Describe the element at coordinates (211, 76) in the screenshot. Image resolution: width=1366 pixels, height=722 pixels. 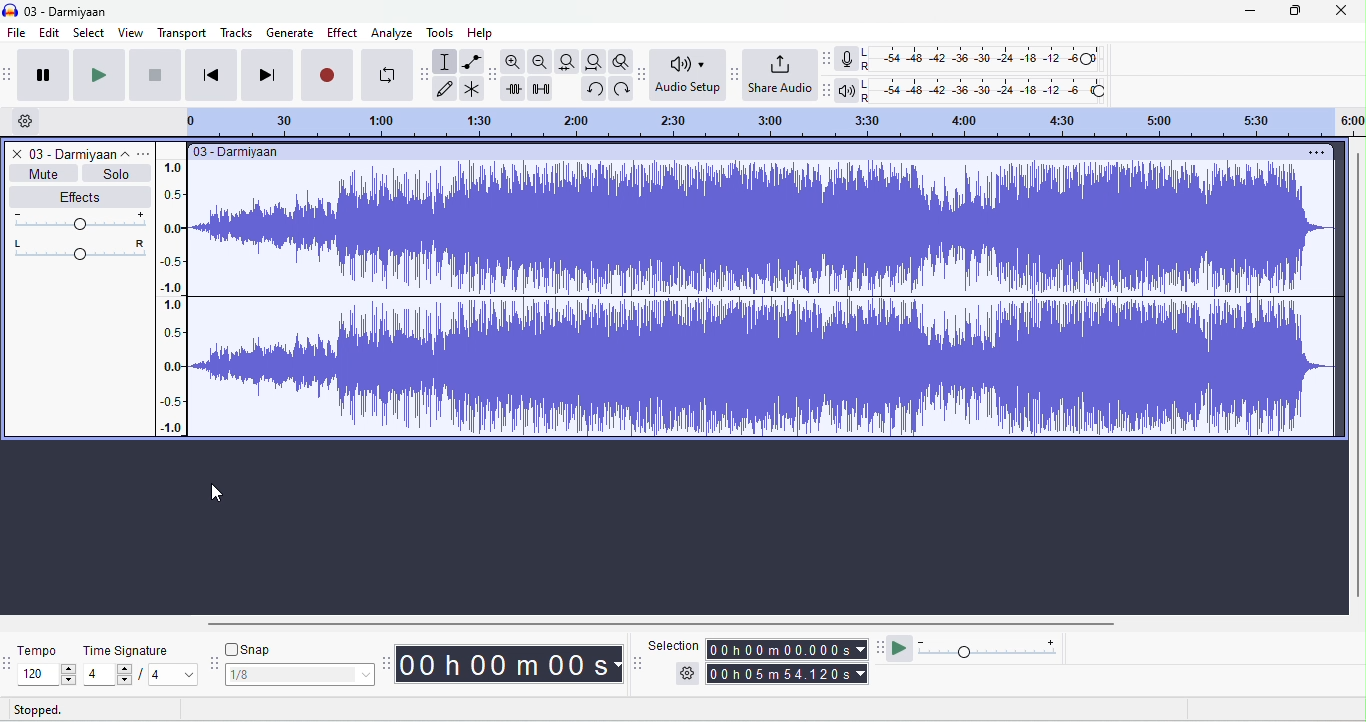
I see `skip to first` at that location.